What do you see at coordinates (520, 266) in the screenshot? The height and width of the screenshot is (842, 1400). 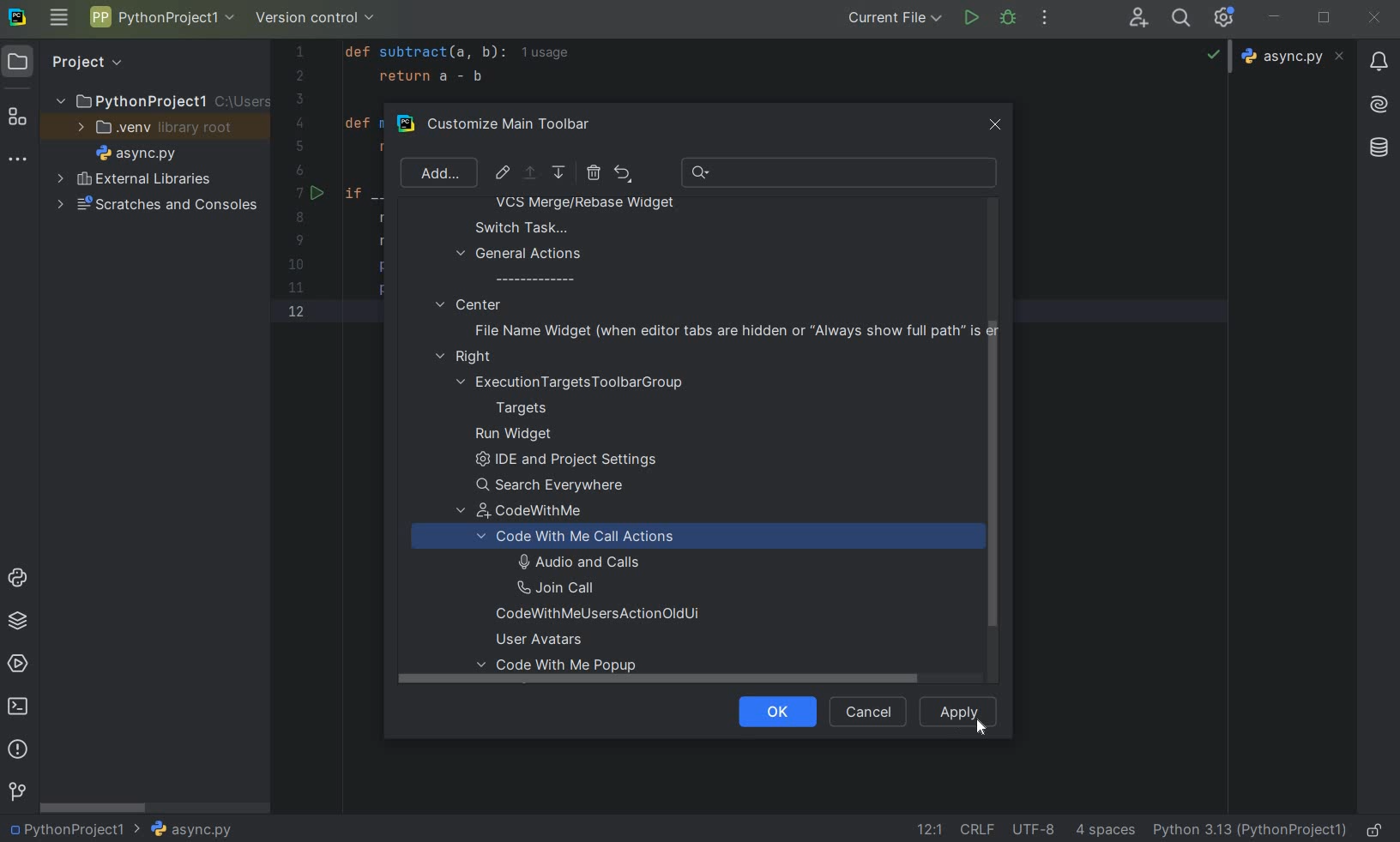 I see `general actions` at bounding box center [520, 266].